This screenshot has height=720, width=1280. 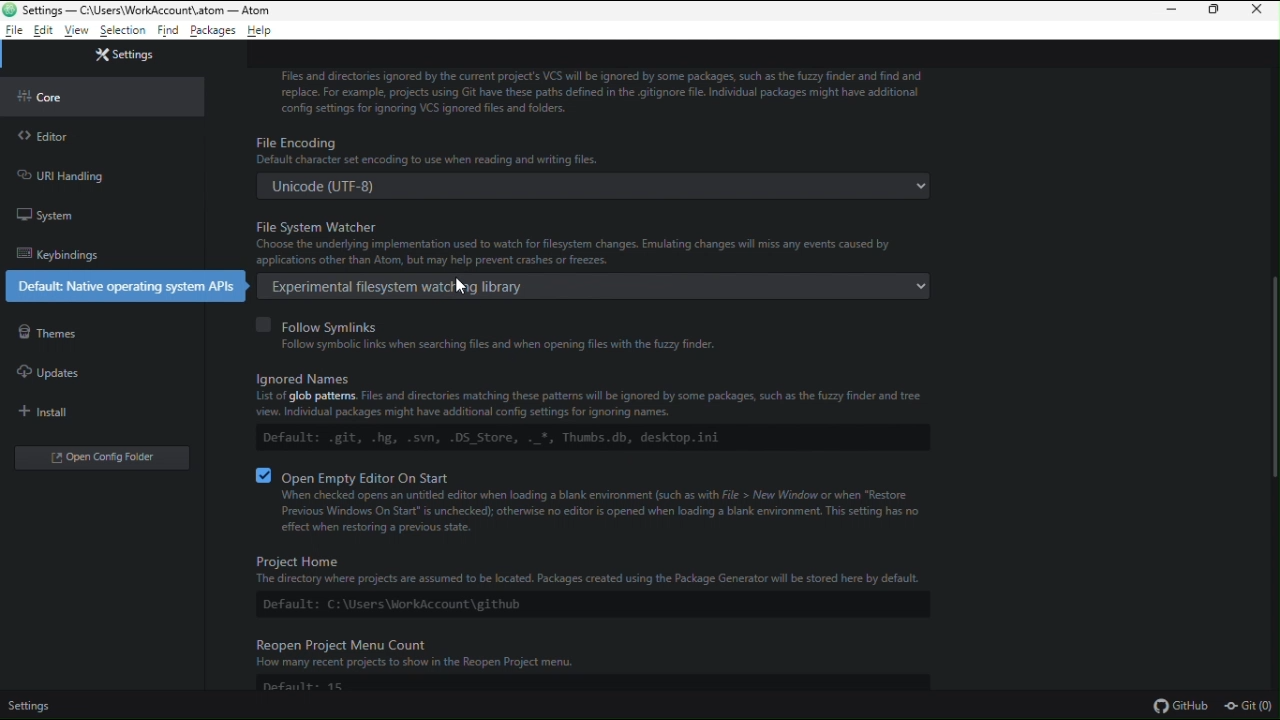 I want to click on Systems, so click(x=46, y=217).